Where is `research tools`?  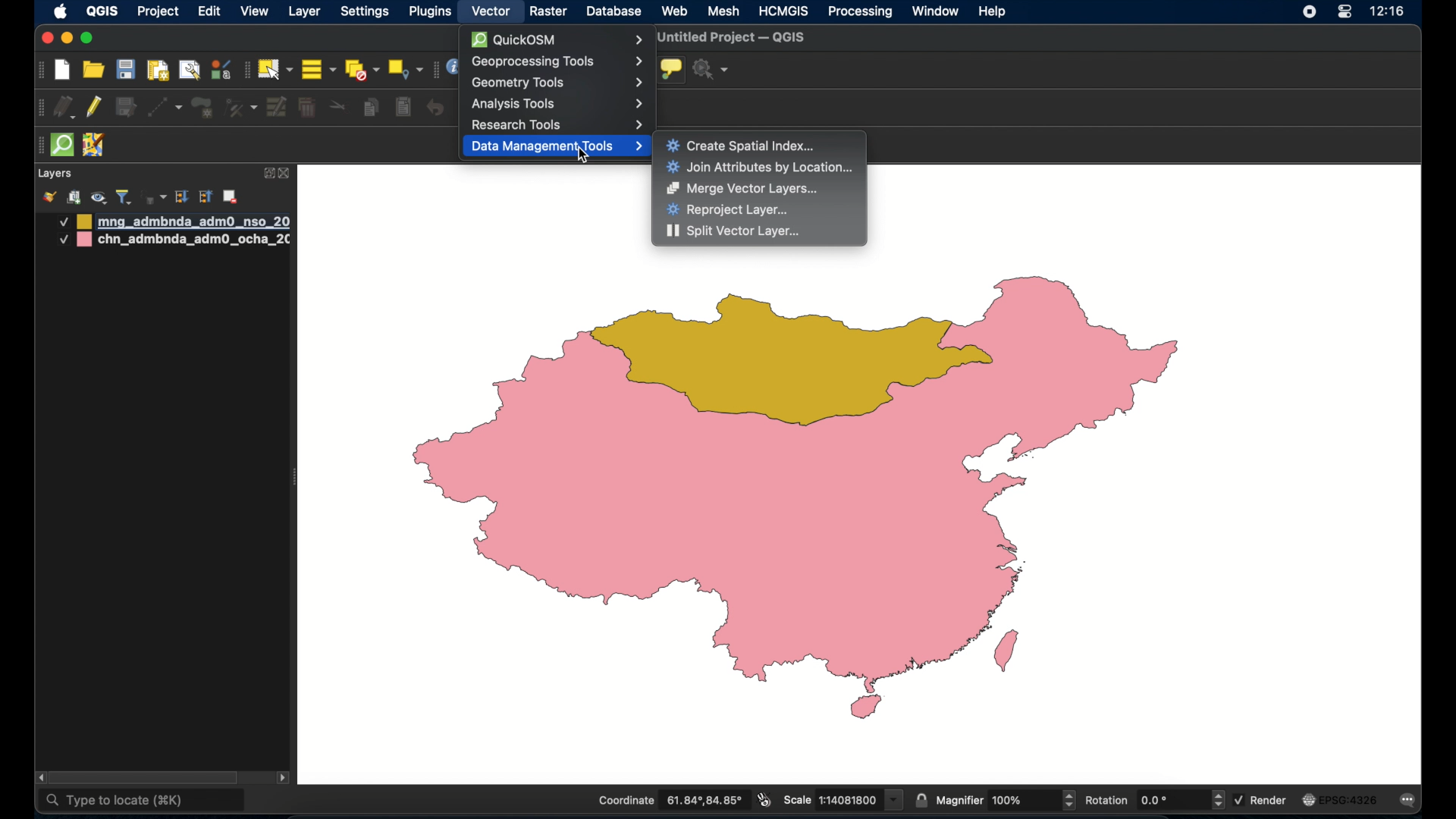
research tools is located at coordinates (559, 124).